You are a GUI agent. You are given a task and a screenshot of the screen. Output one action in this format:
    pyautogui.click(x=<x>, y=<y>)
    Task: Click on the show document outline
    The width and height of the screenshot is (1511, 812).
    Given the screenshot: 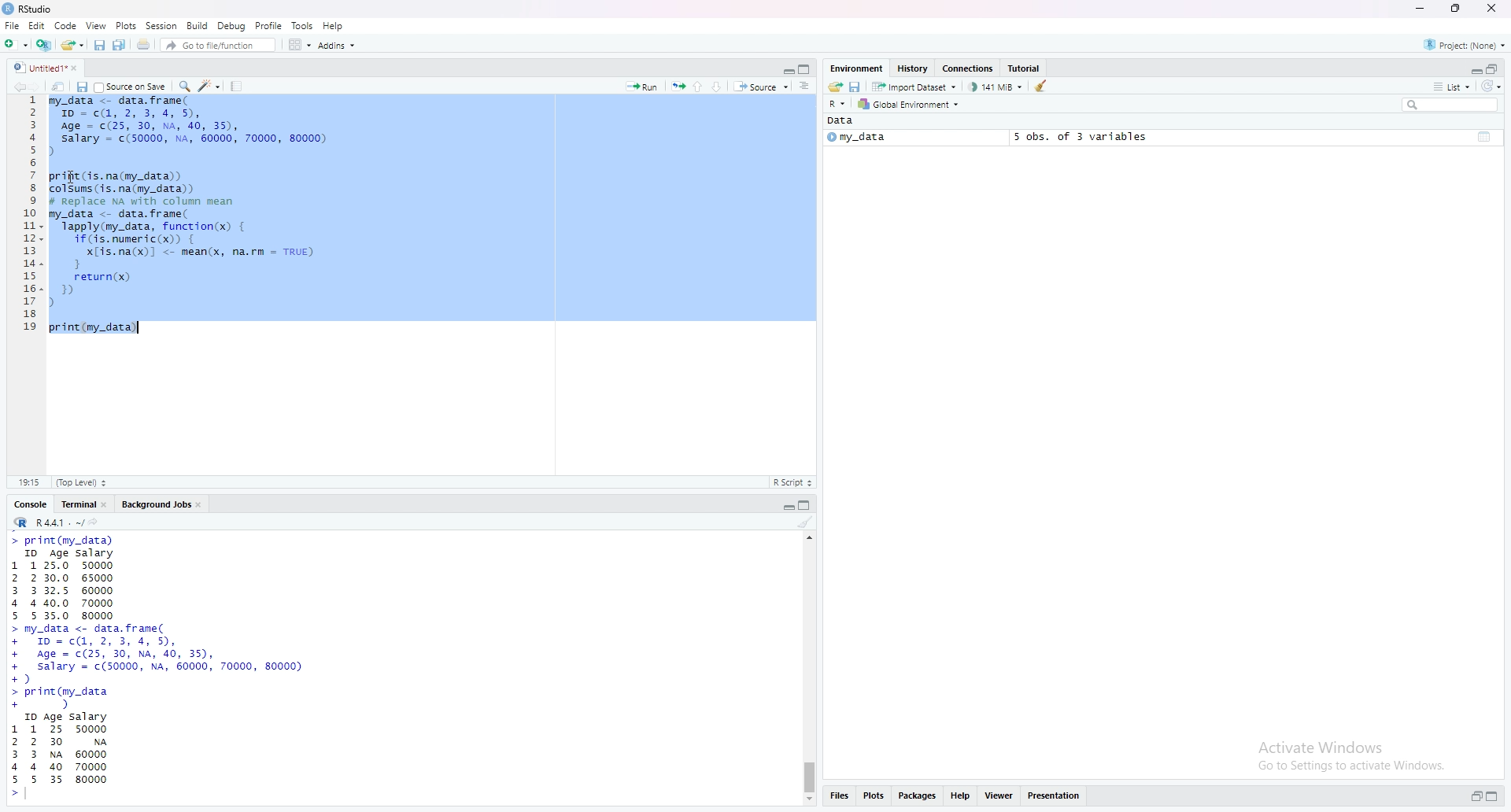 What is the action you would take?
    pyautogui.click(x=806, y=87)
    